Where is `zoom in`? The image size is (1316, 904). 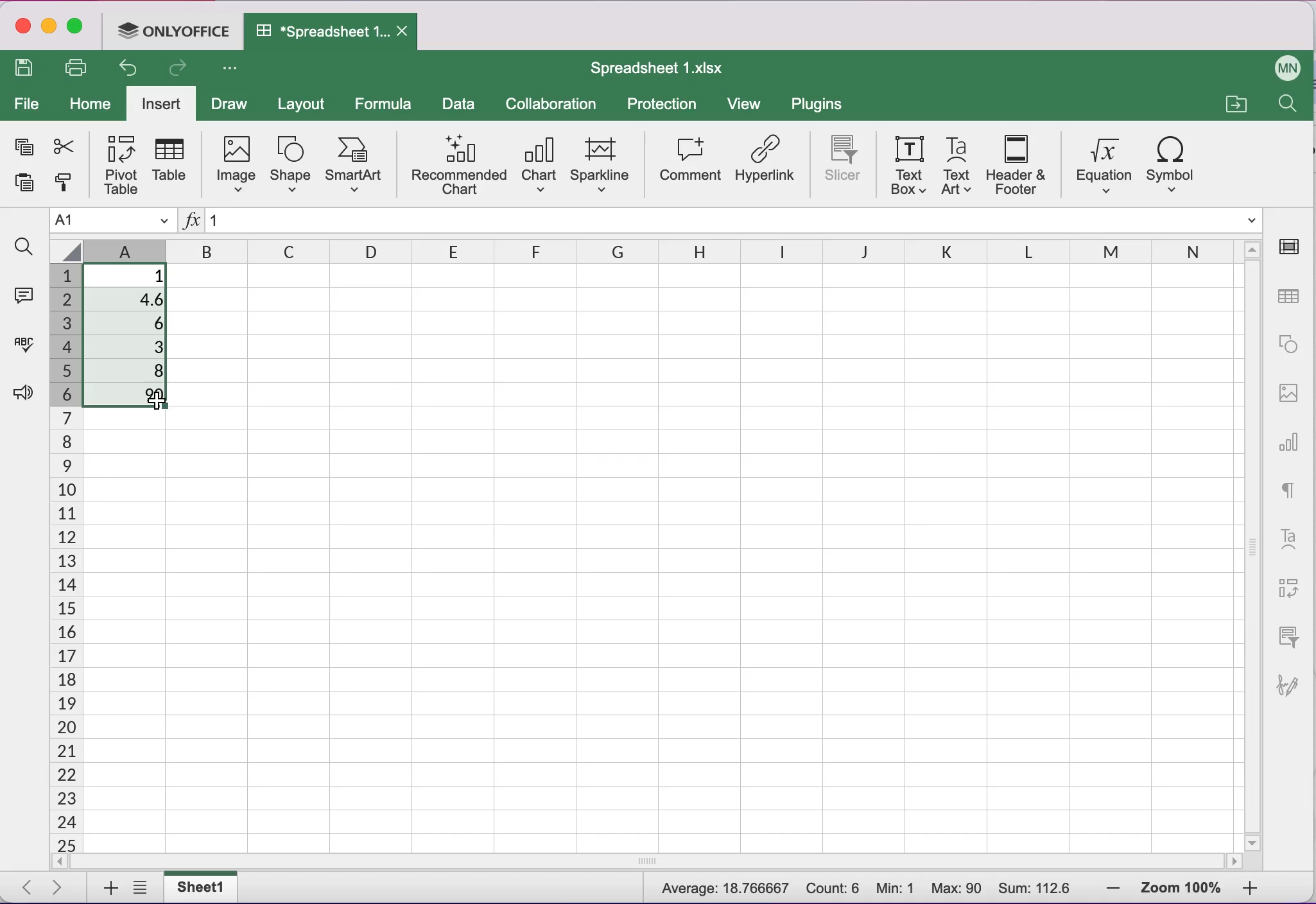 zoom in is located at coordinates (1252, 888).